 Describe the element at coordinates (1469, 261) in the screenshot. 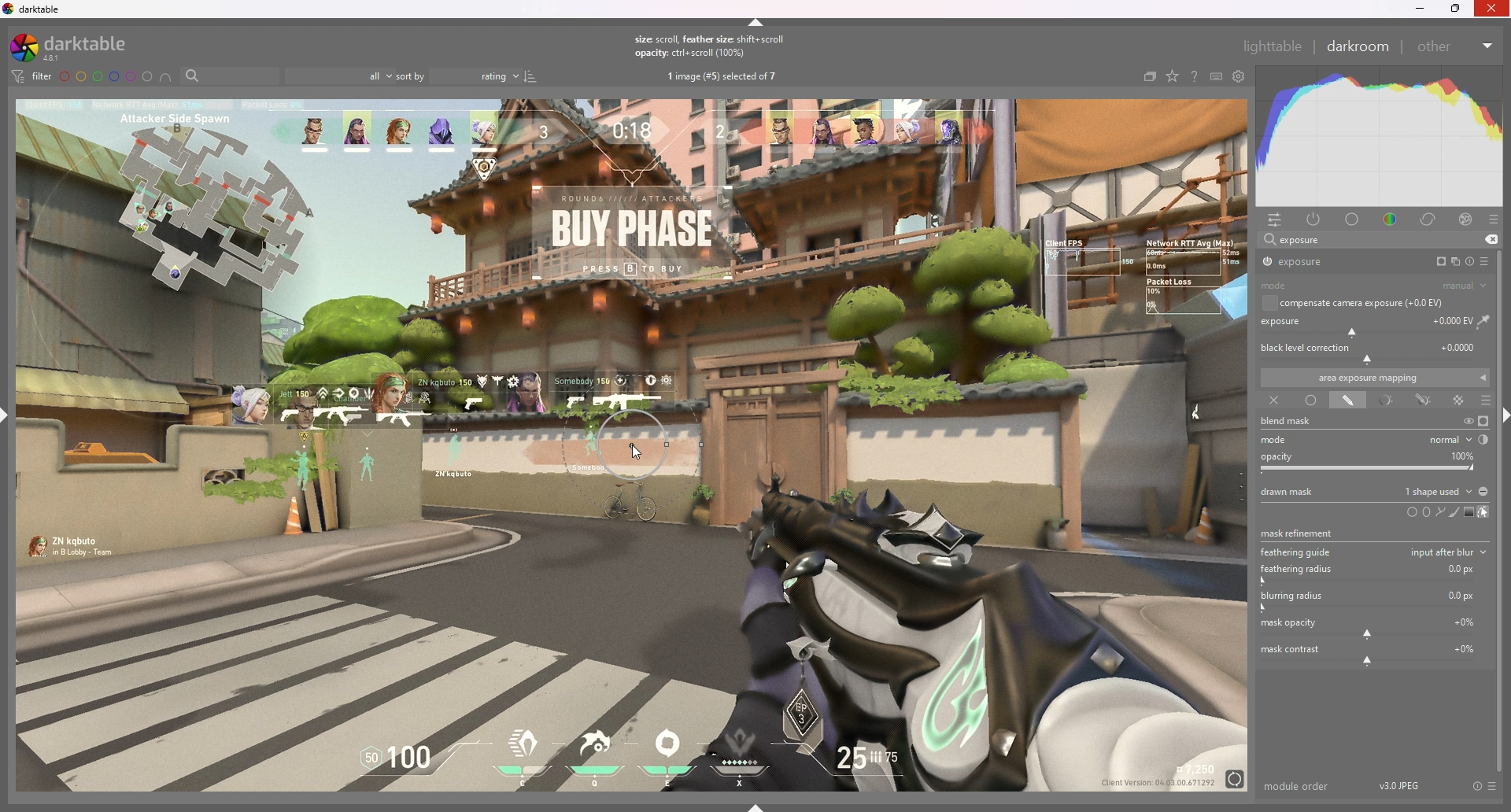

I see `reset` at that location.